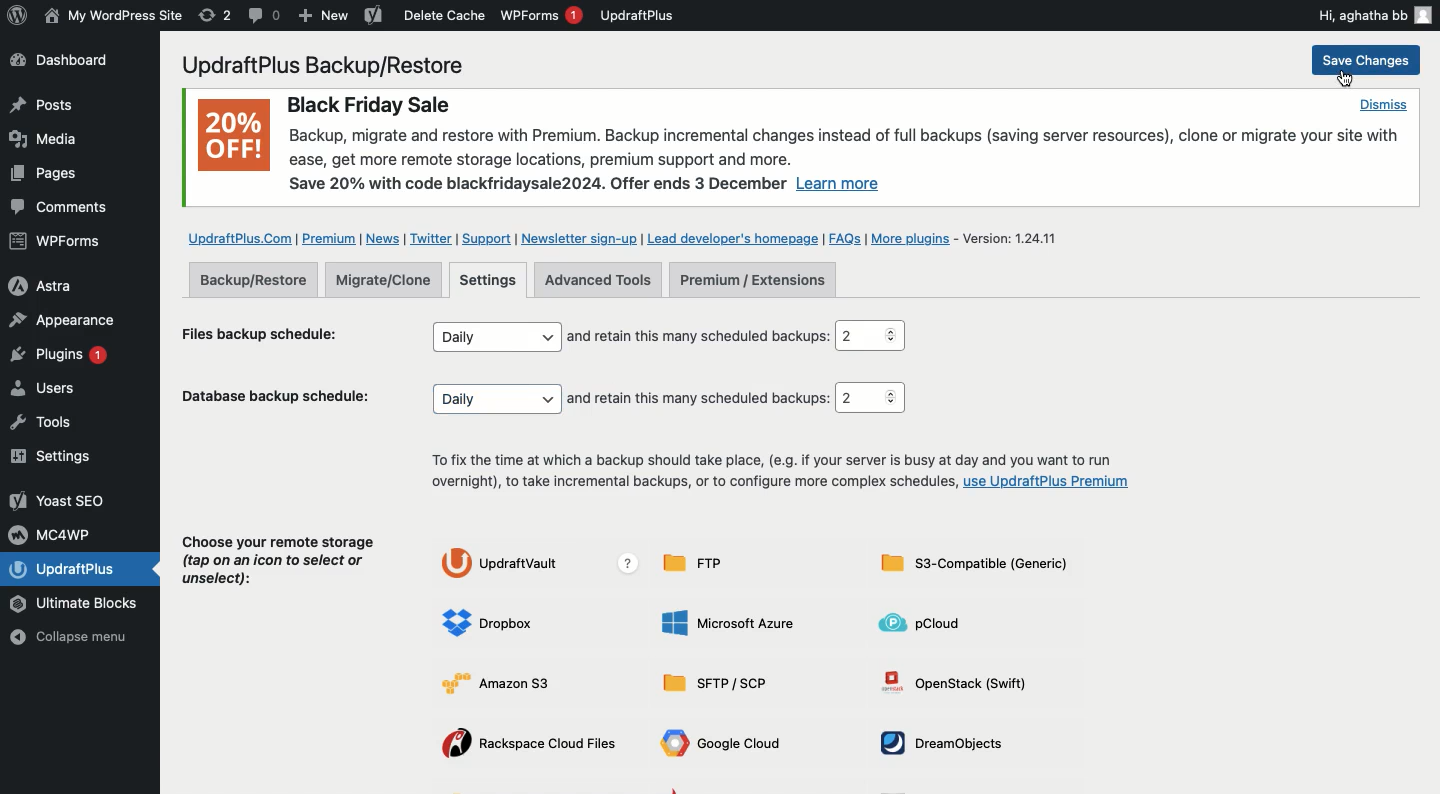  What do you see at coordinates (534, 745) in the screenshot?
I see `Rackspace cloud files` at bounding box center [534, 745].